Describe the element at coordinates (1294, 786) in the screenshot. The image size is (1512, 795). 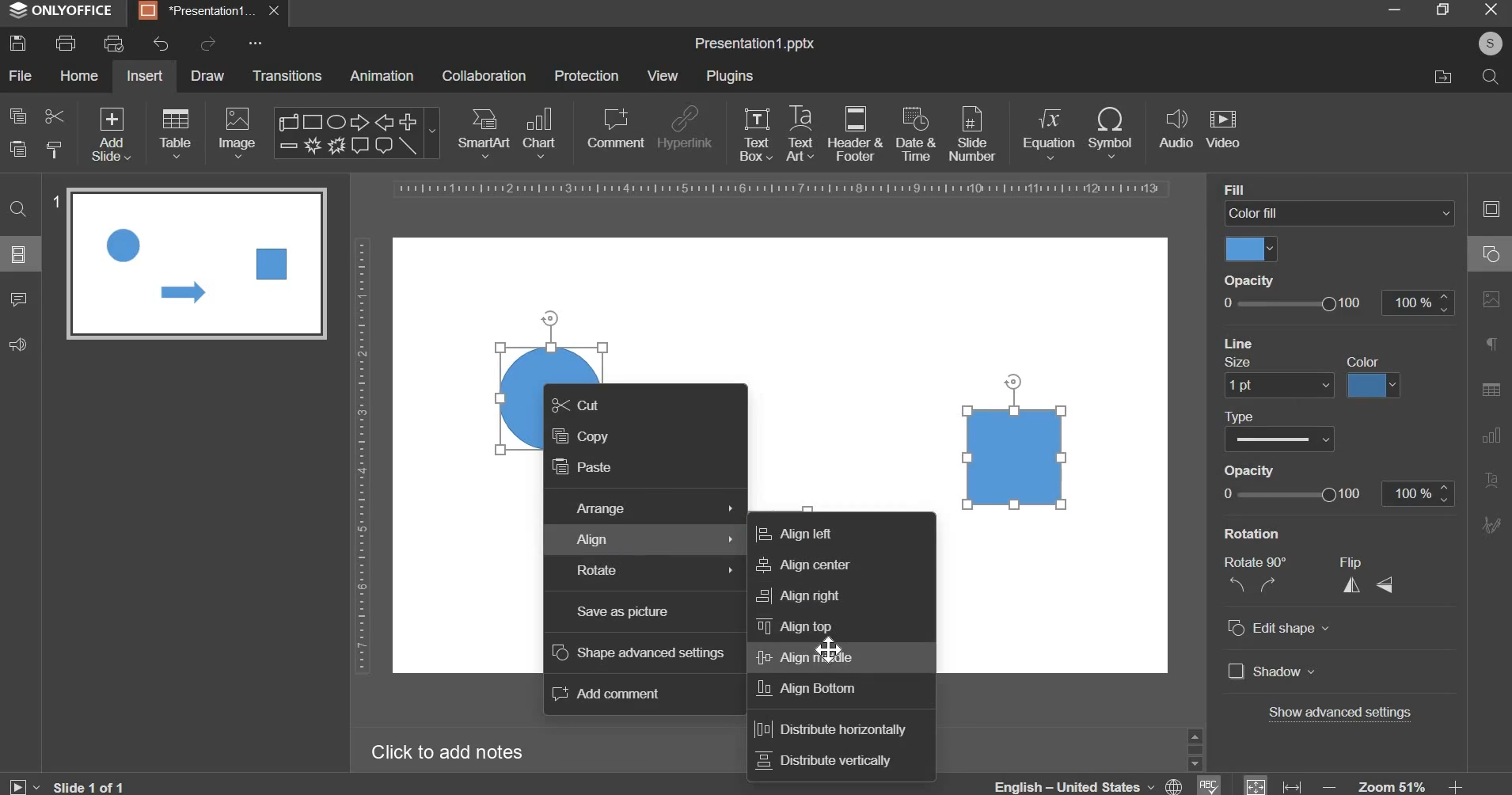
I see `fit to width` at that location.